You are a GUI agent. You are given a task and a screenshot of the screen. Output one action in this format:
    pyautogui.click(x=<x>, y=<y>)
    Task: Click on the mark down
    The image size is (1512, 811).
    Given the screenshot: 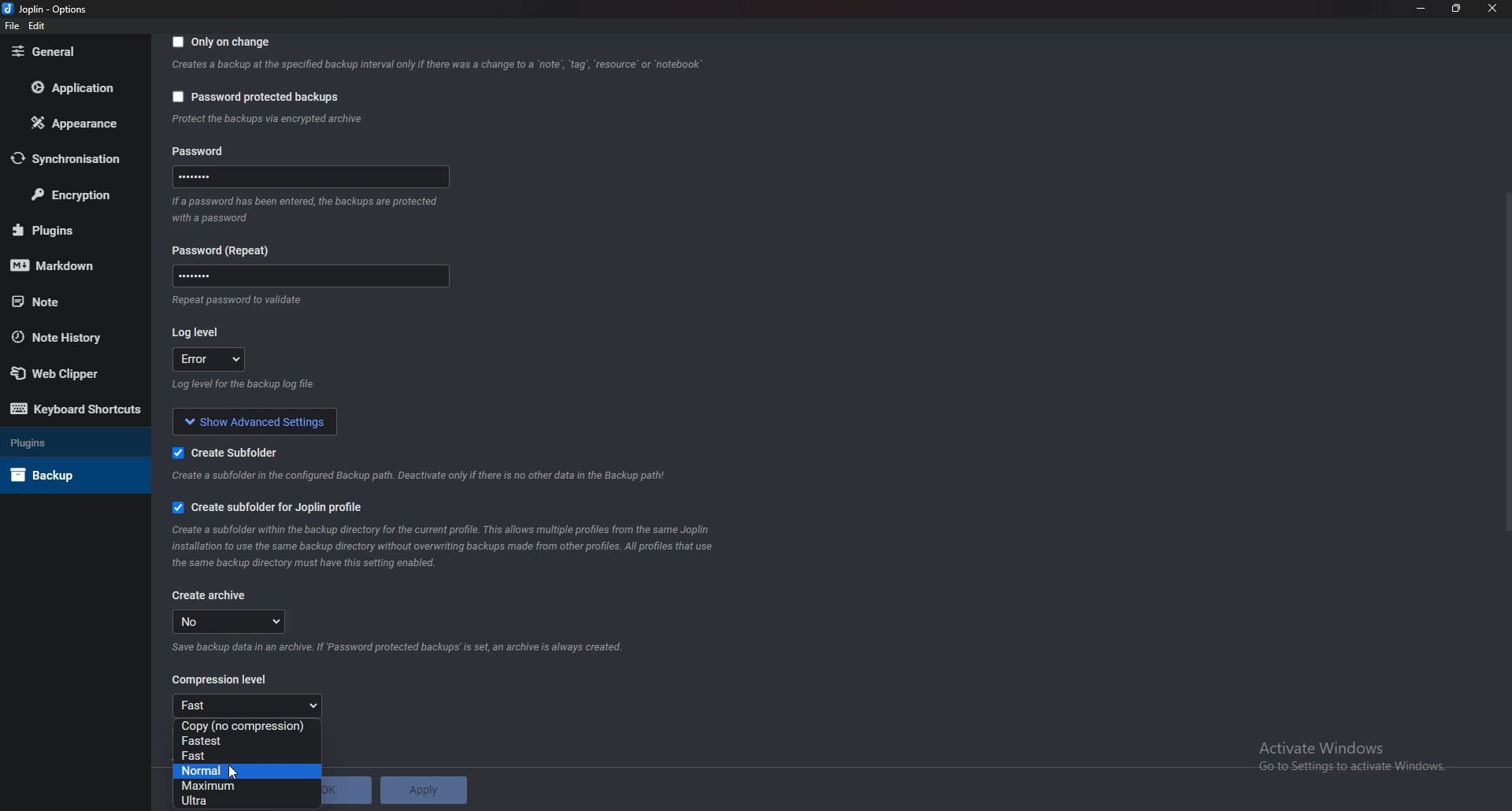 What is the action you would take?
    pyautogui.click(x=64, y=267)
    